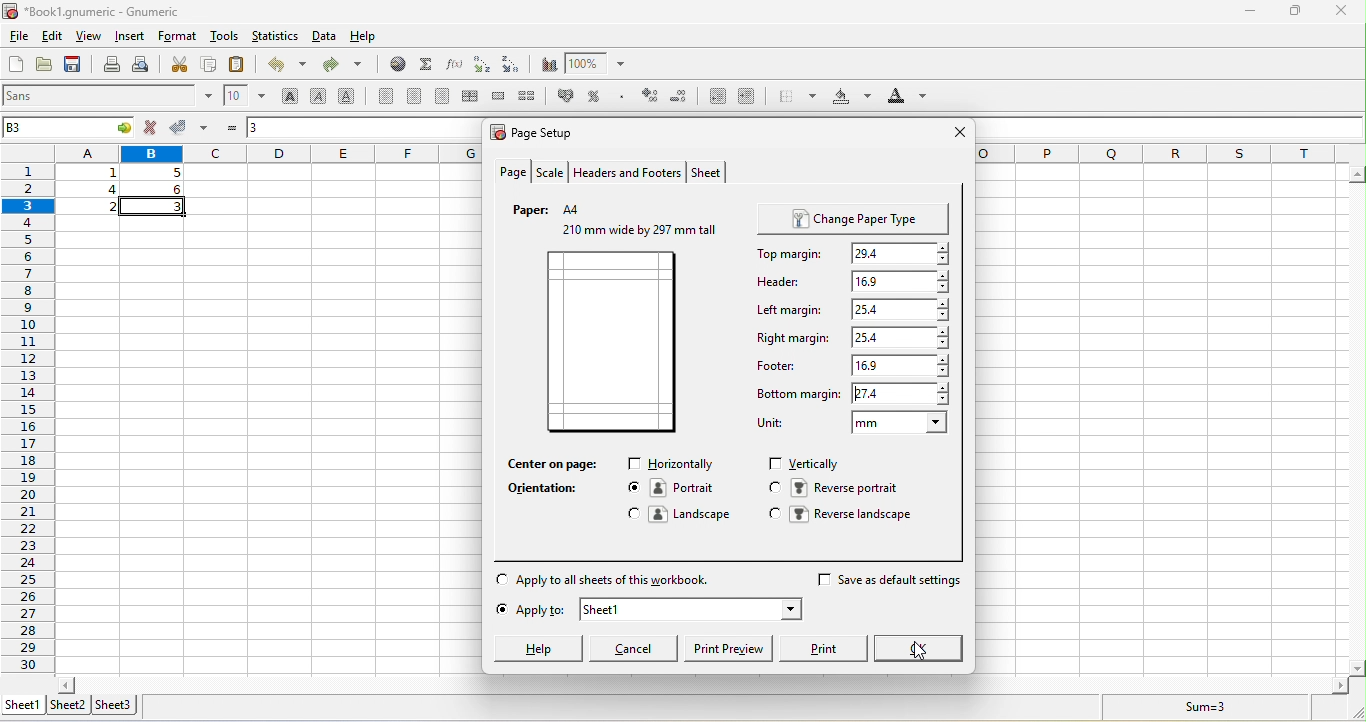 The width and height of the screenshot is (1366, 722). I want to click on cancel, so click(637, 648).